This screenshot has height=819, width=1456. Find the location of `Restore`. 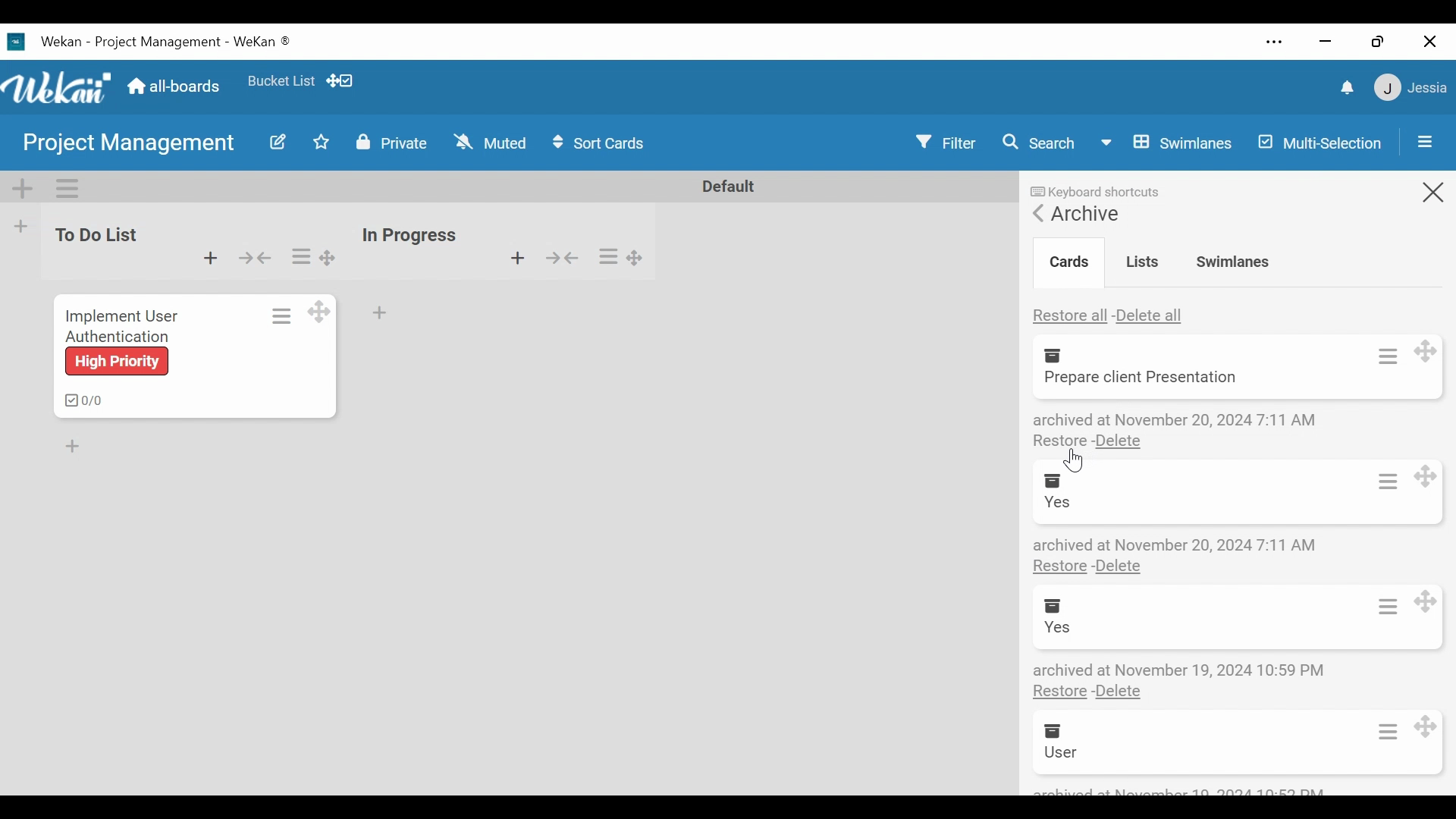

Restore is located at coordinates (1059, 692).